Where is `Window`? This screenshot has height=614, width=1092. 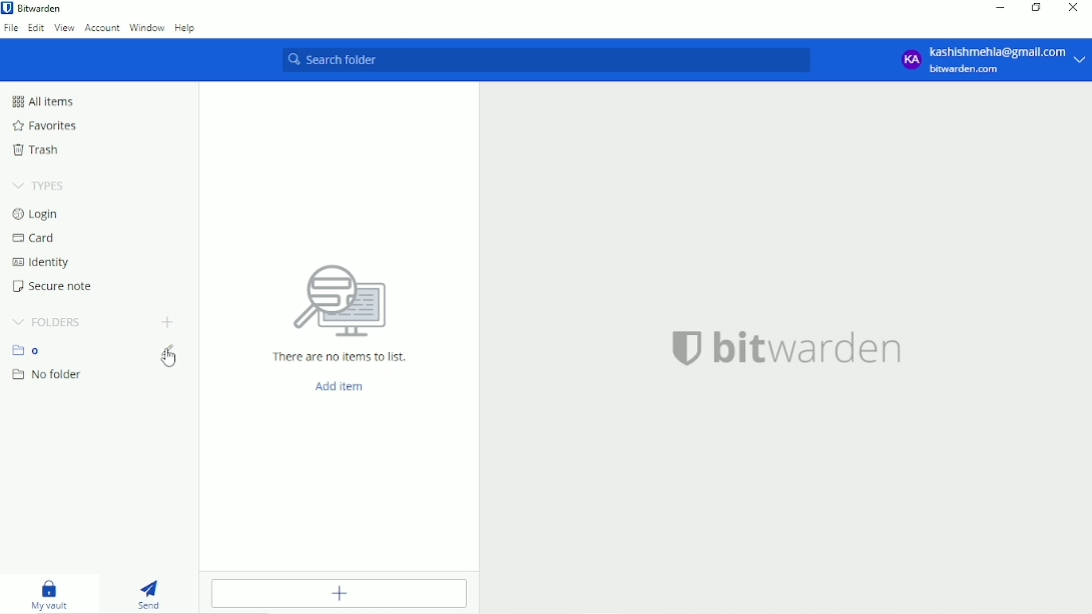
Window is located at coordinates (147, 28).